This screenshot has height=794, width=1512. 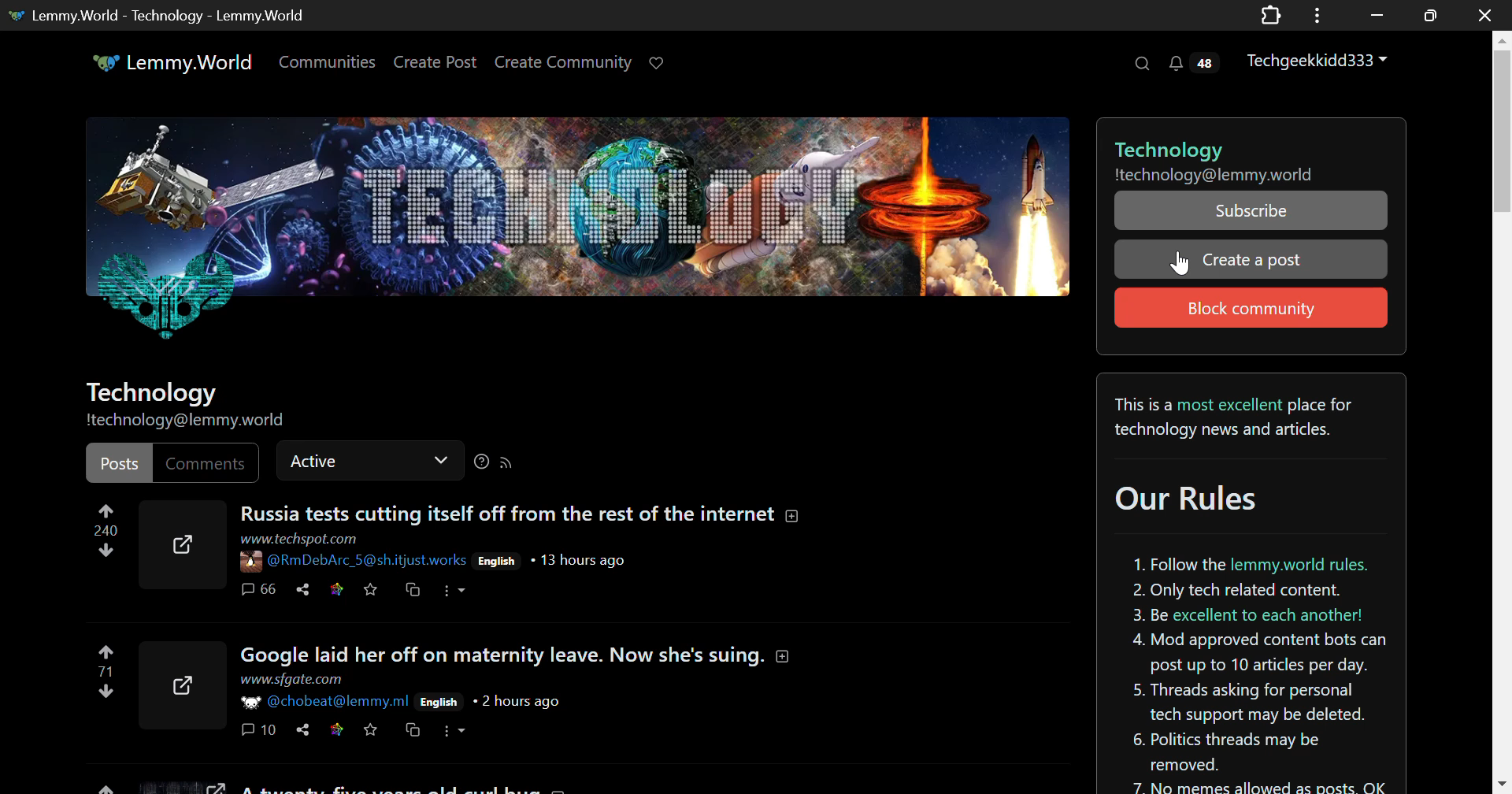 I want to click on Application Menu, so click(x=1319, y=15).